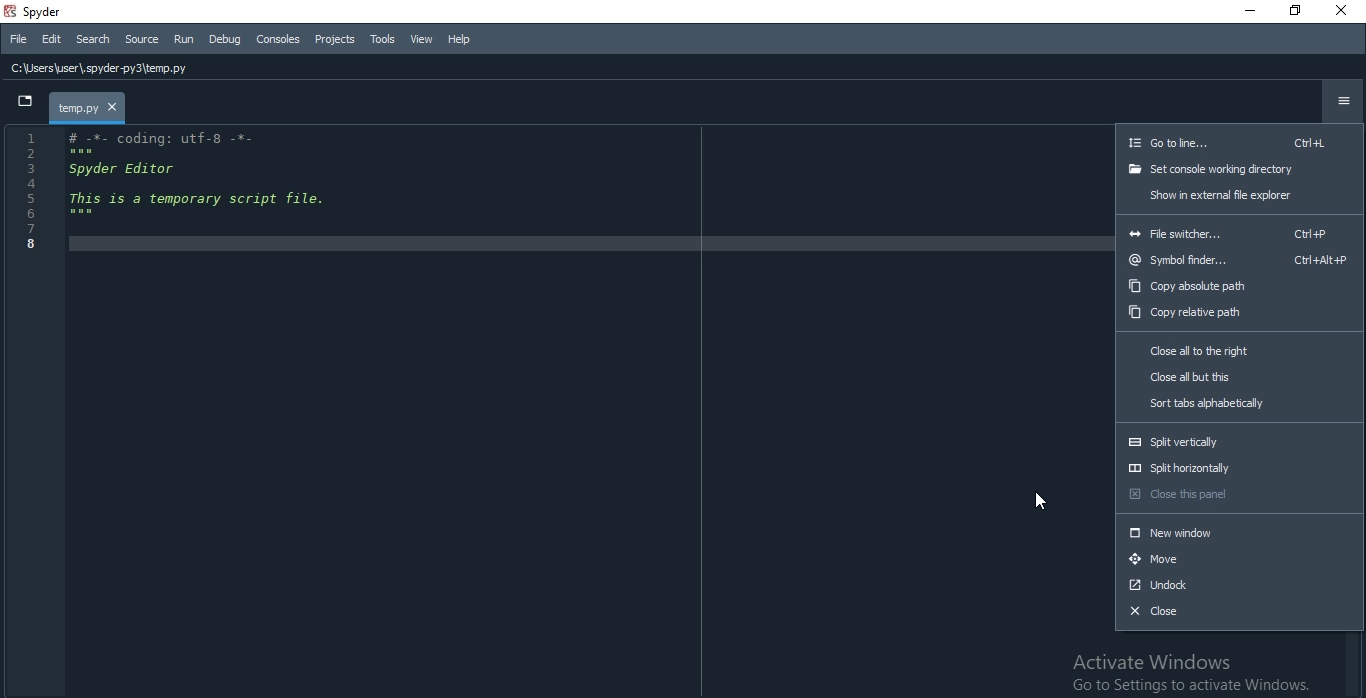 Image resolution: width=1366 pixels, height=698 pixels. What do you see at coordinates (304, 66) in the screenshot?
I see `history` at bounding box center [304, 66].